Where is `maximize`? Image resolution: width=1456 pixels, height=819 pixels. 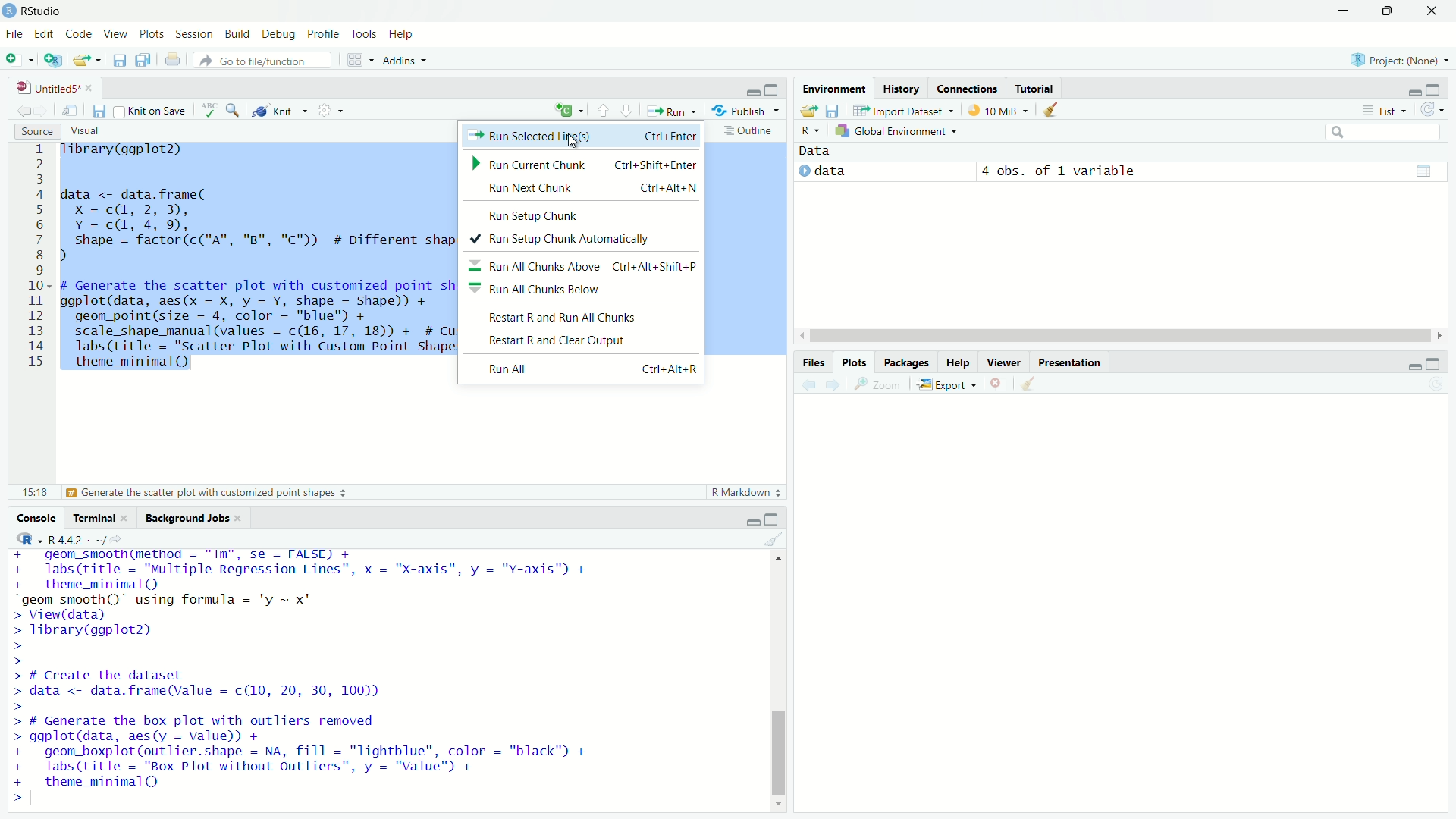
maximize is located at coordinates (772, 519).